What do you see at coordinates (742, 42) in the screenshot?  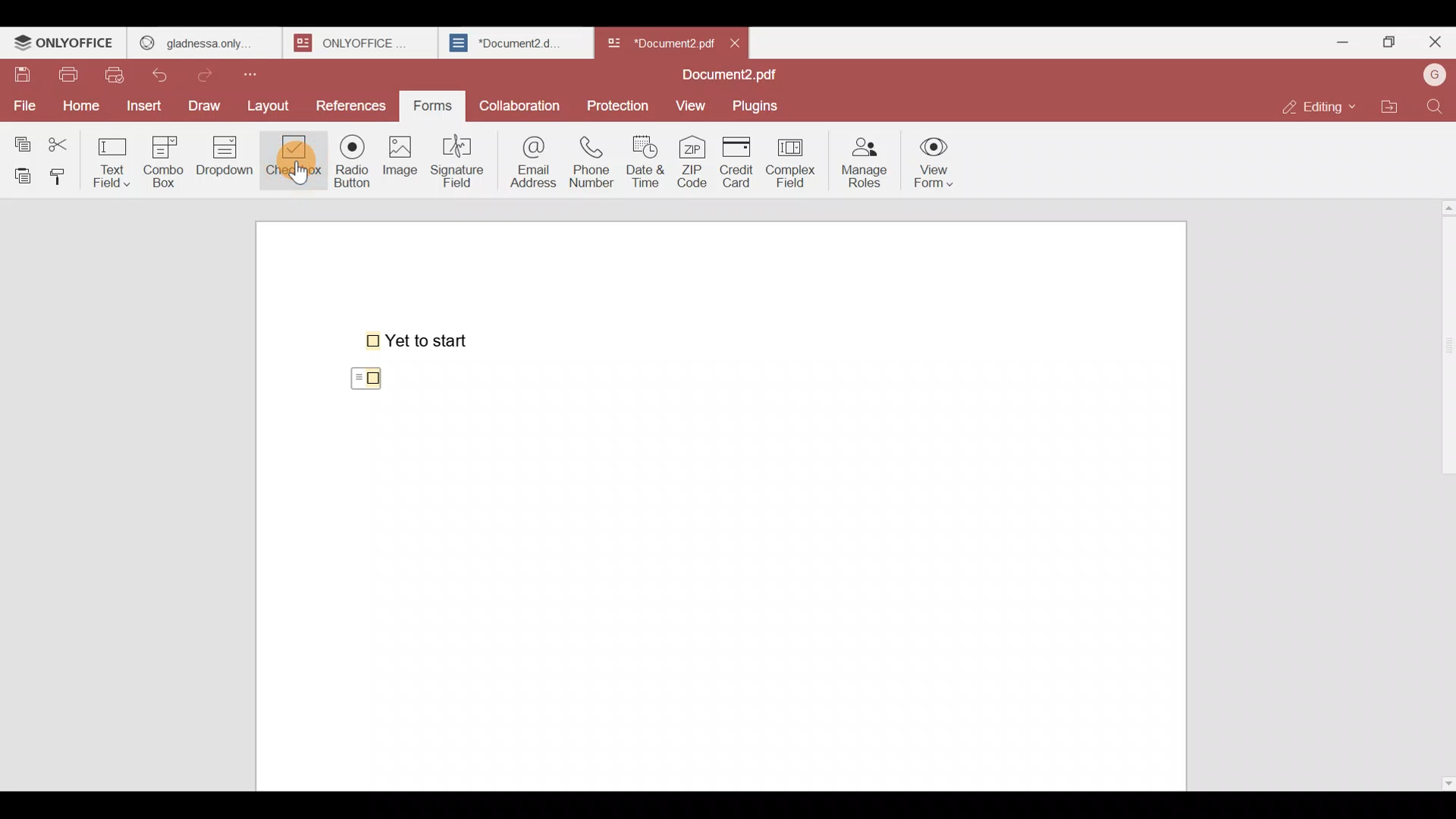 I see `Close` at bounding box center [742, 42].